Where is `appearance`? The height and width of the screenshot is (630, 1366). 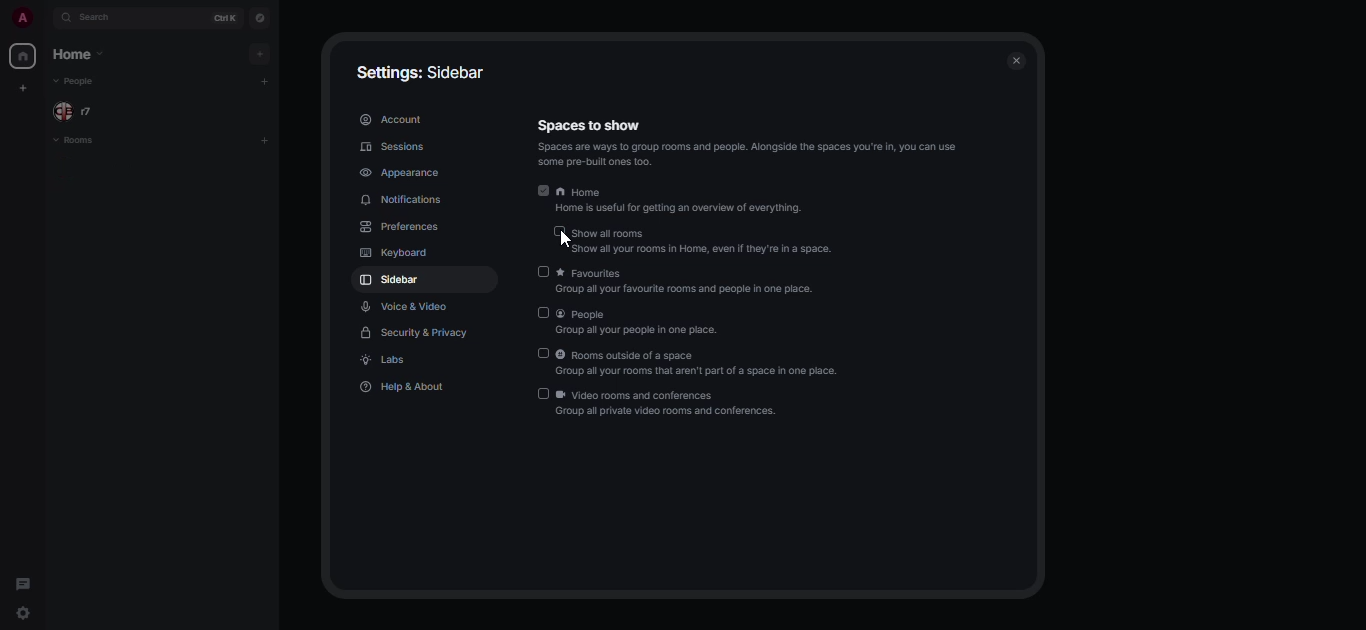
appearance is located at coordinates (405, 172).